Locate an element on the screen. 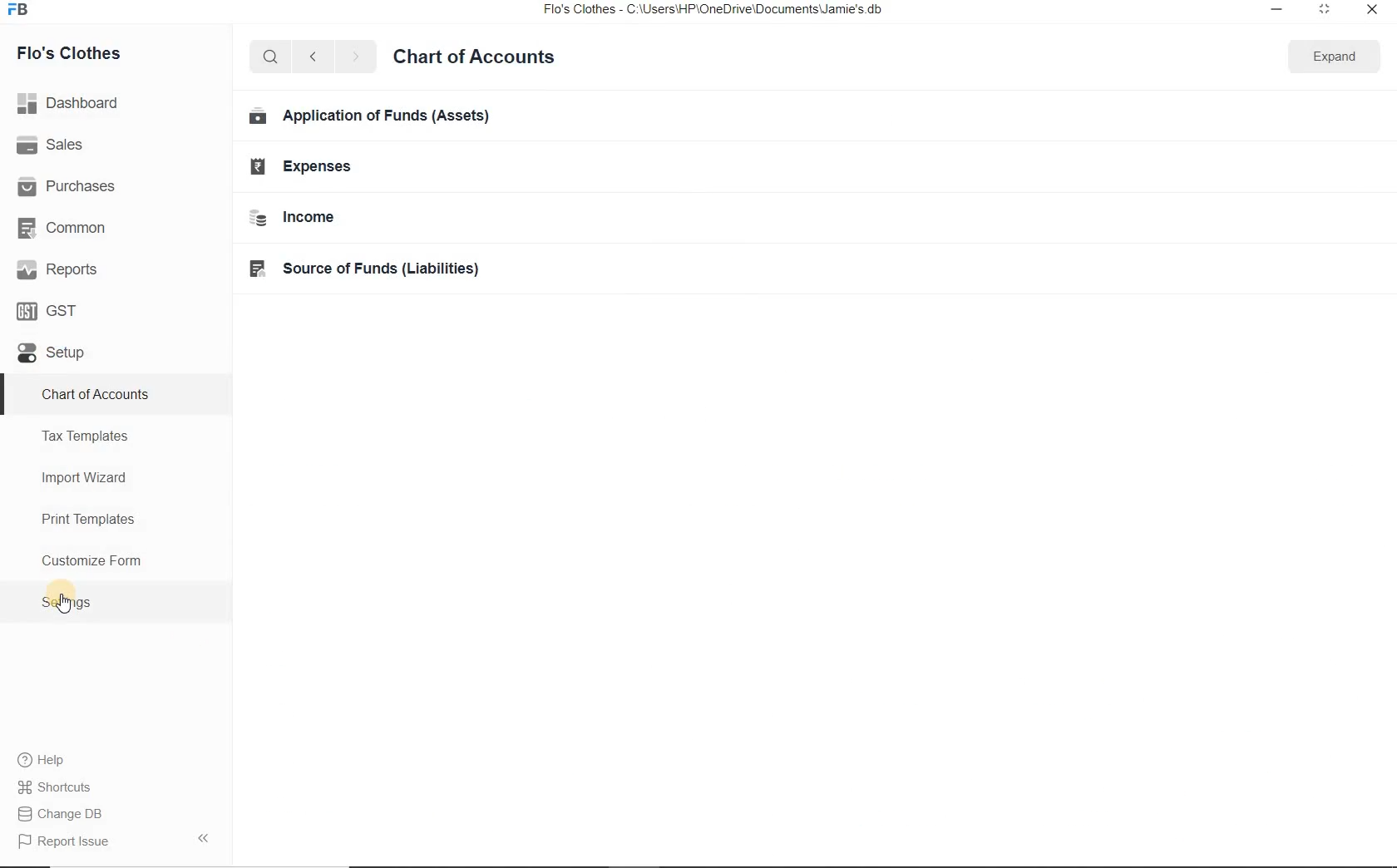 This screenshot has width=1397, height=868. Purchases is located at coordinates (70, 186).